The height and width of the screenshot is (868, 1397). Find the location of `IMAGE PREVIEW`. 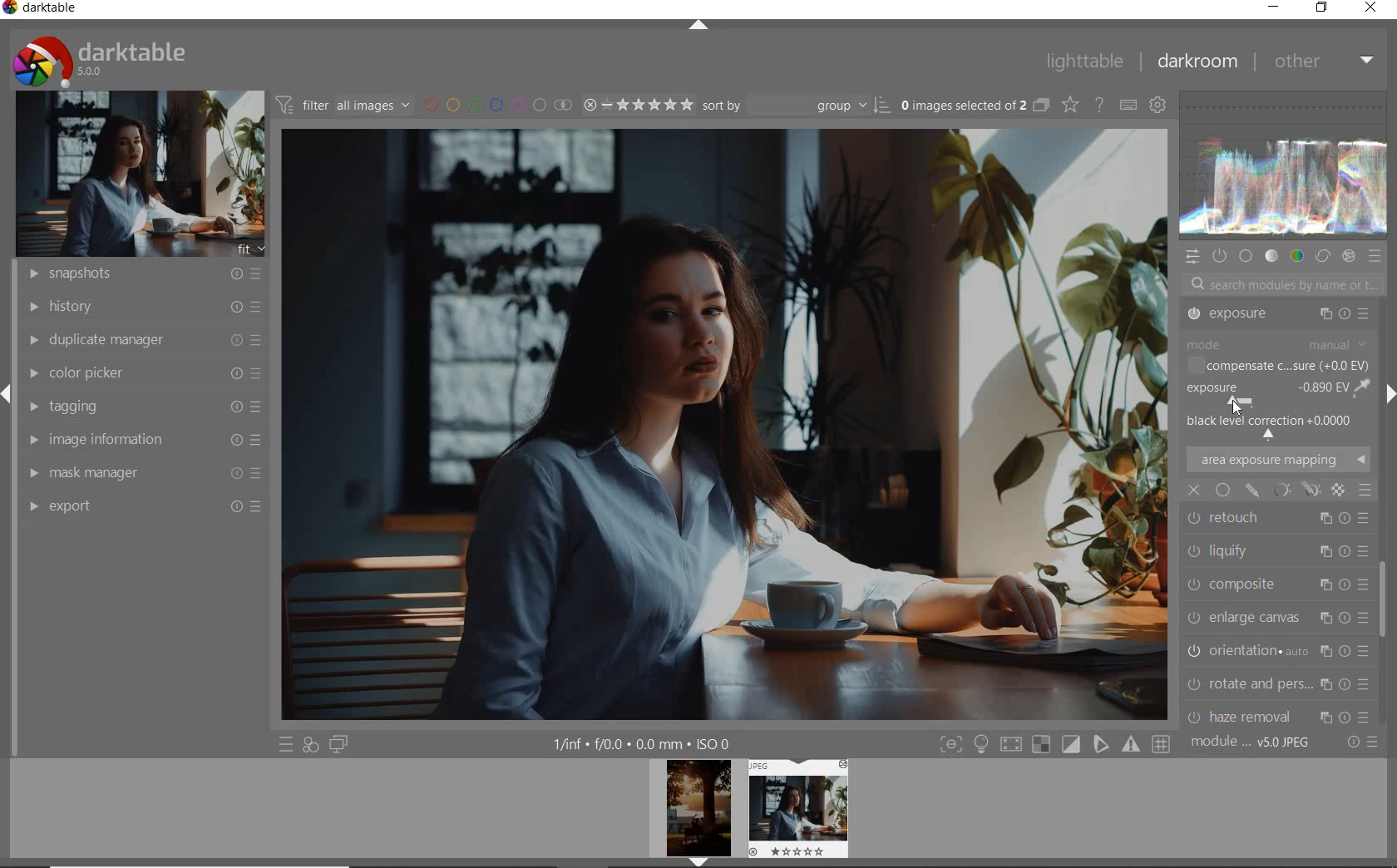

IMAGE PREVIEW is located at coordinates (797, 808).